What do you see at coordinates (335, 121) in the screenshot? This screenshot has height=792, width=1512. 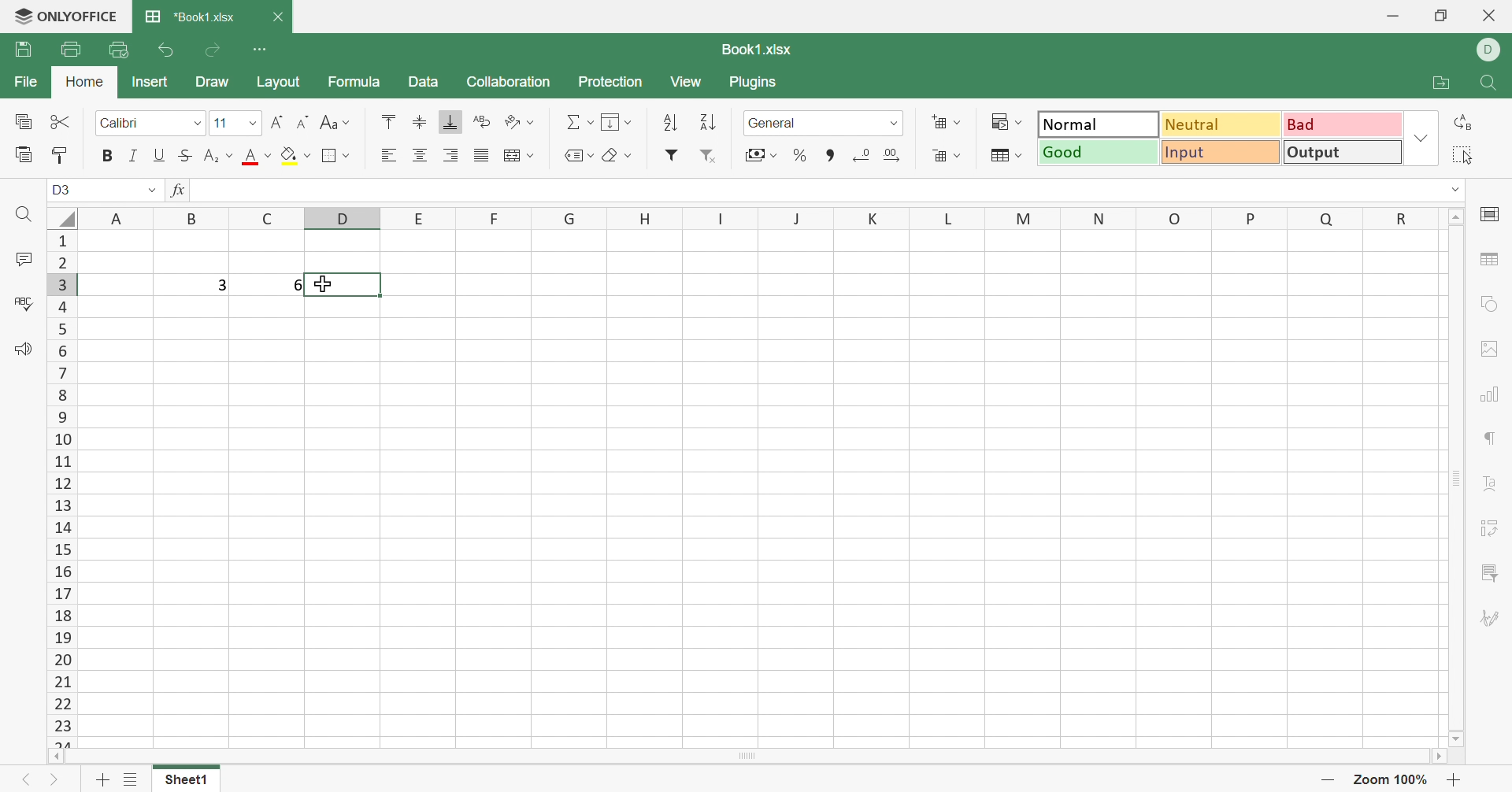 I see `Change case` at bounding box center [335, 121].